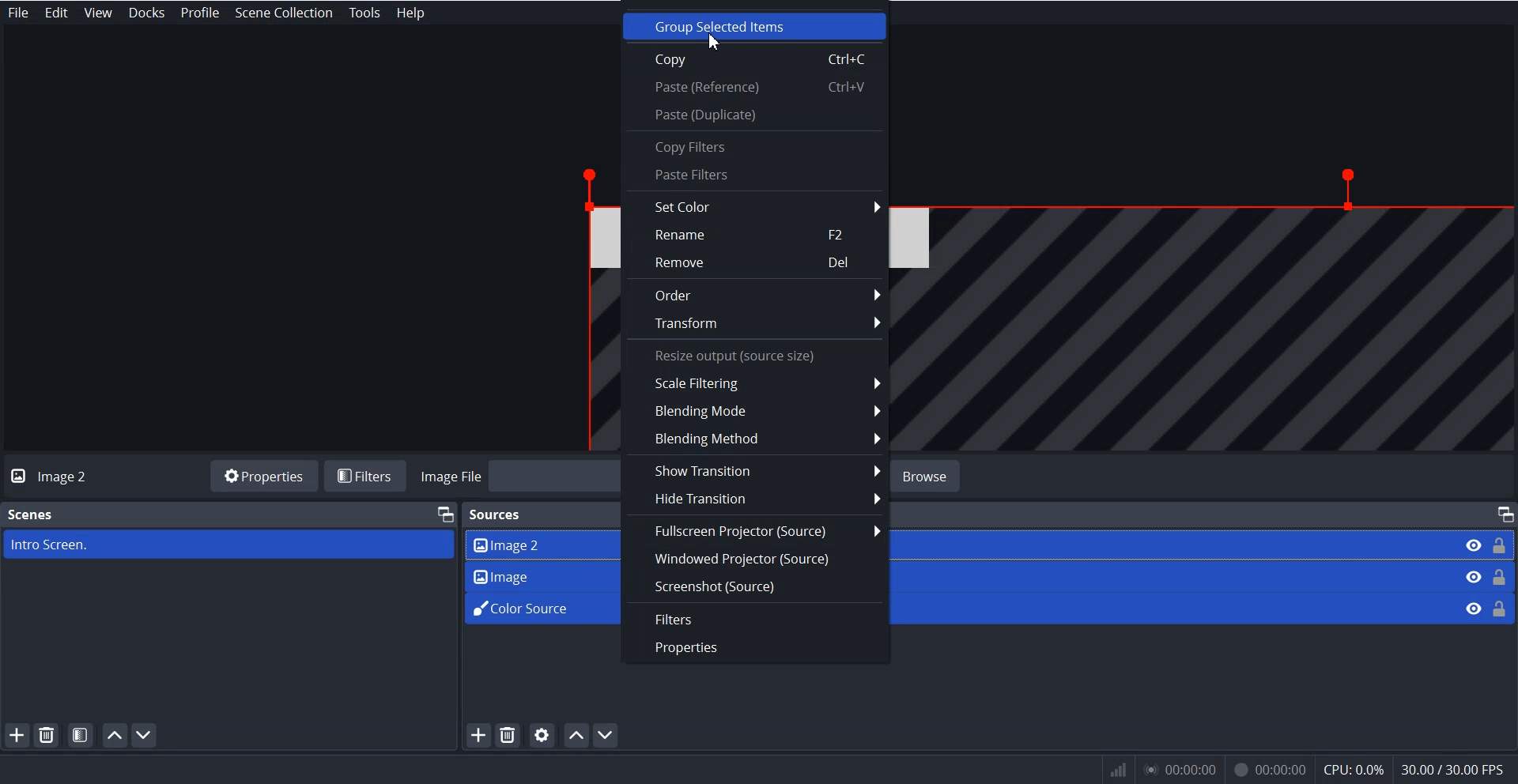 This screenshot has height=784, width=1518. I want to click on Move Source Up, so click(576, 735).